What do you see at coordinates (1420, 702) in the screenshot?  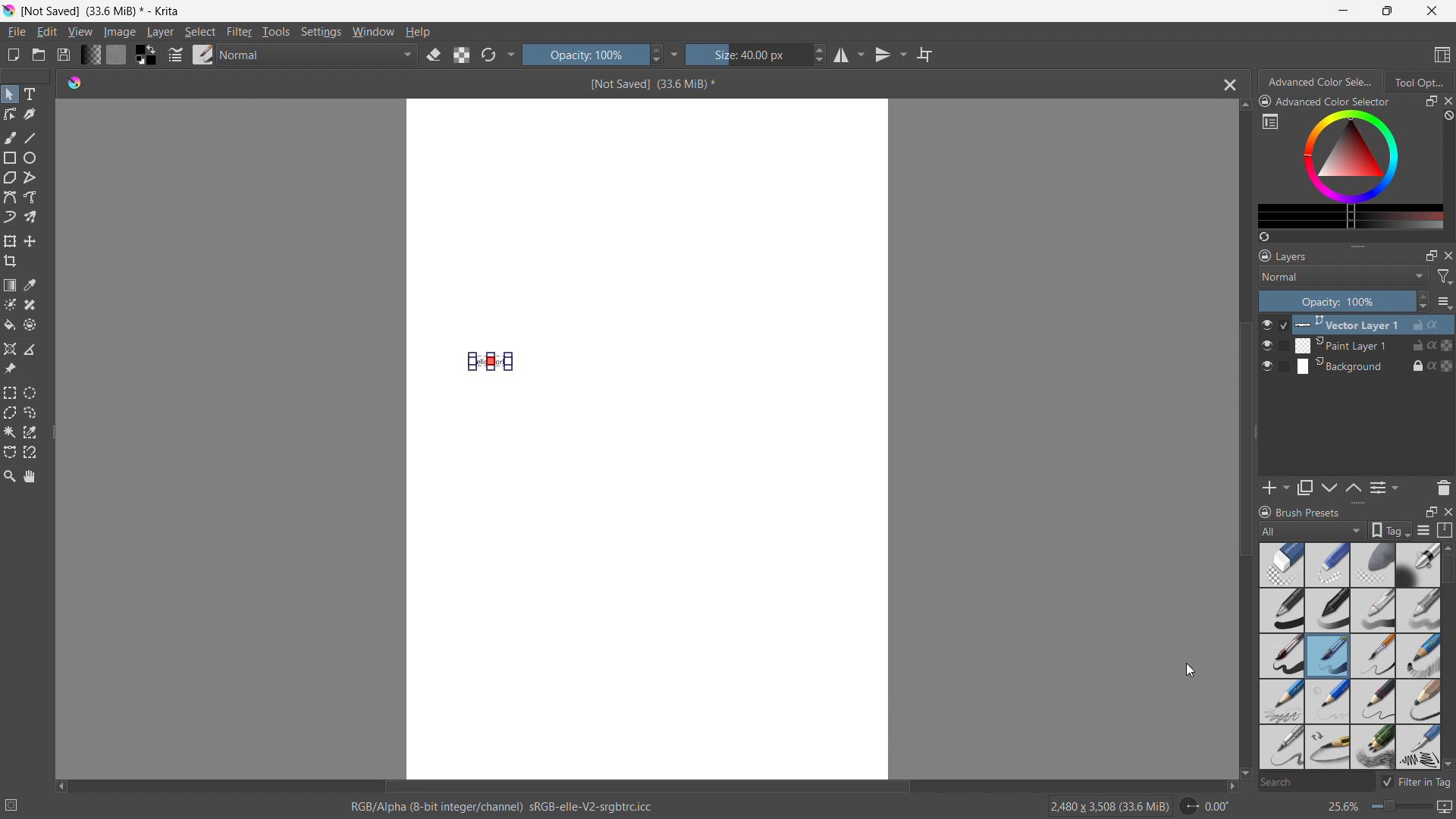 I see `bold pencil` at bounding box center [1420, 702].